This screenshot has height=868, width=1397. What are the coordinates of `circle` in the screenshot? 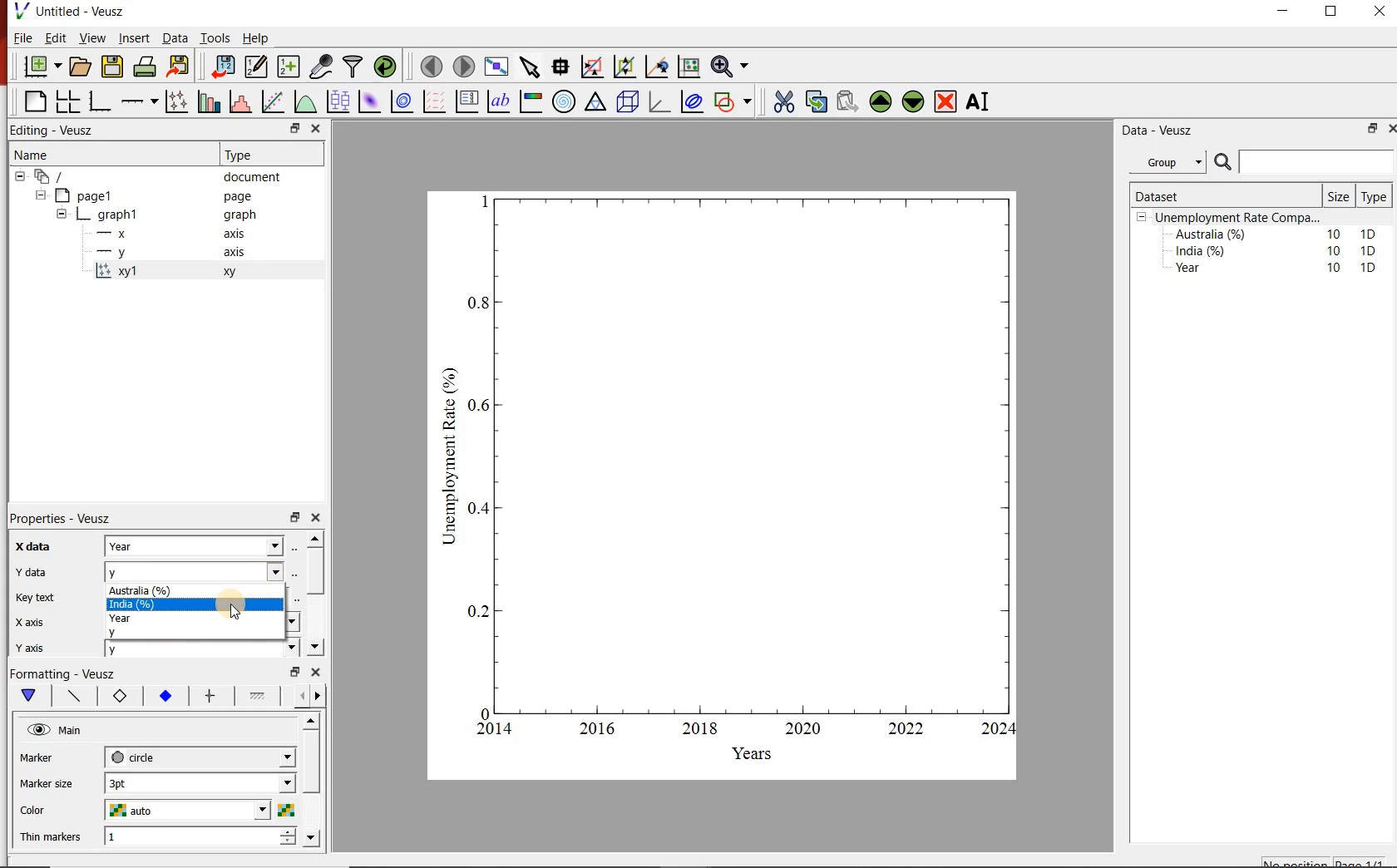 It's located at (198, 755).